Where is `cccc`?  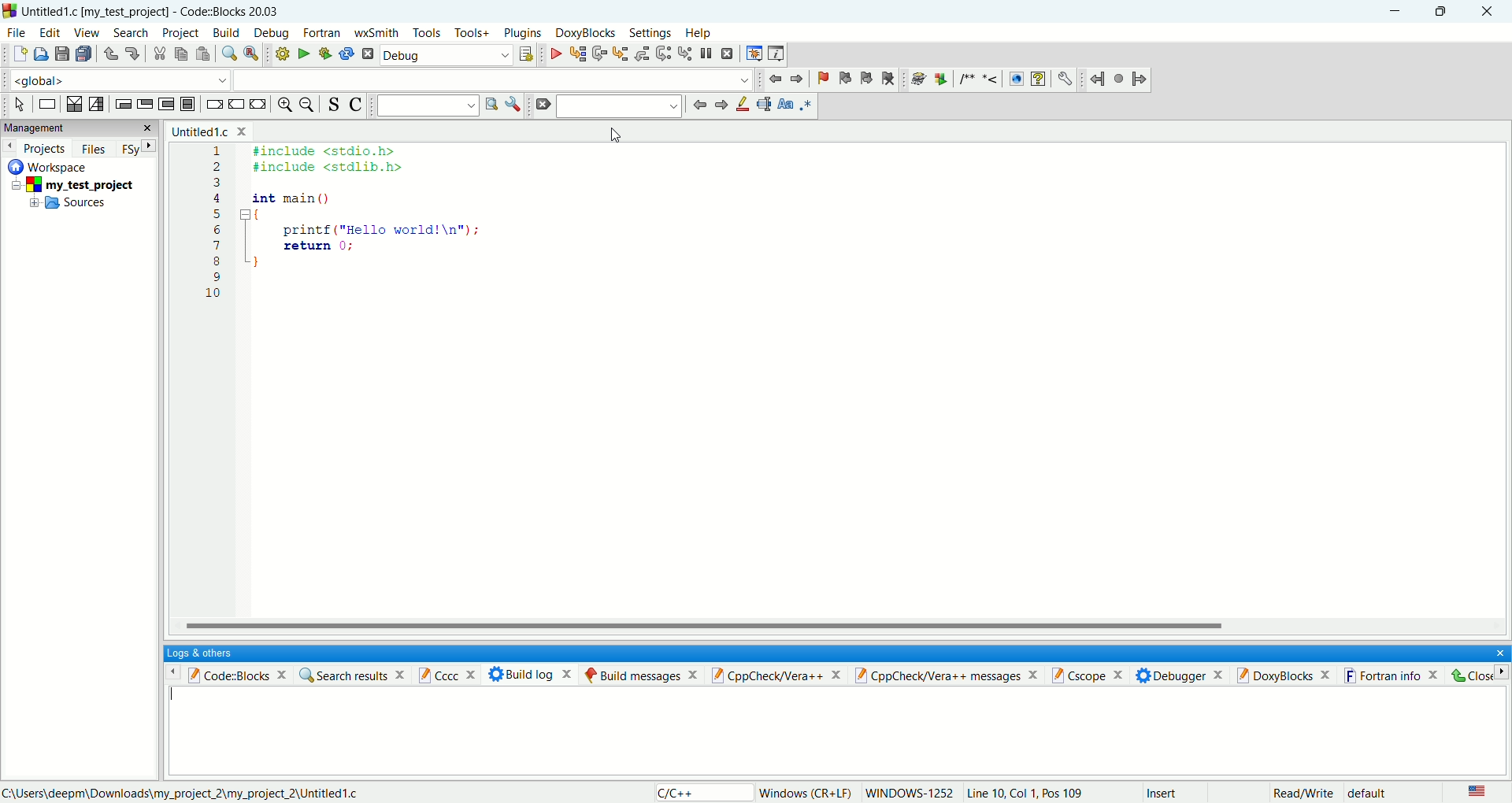
cccc is located at coordinates (451, 674).